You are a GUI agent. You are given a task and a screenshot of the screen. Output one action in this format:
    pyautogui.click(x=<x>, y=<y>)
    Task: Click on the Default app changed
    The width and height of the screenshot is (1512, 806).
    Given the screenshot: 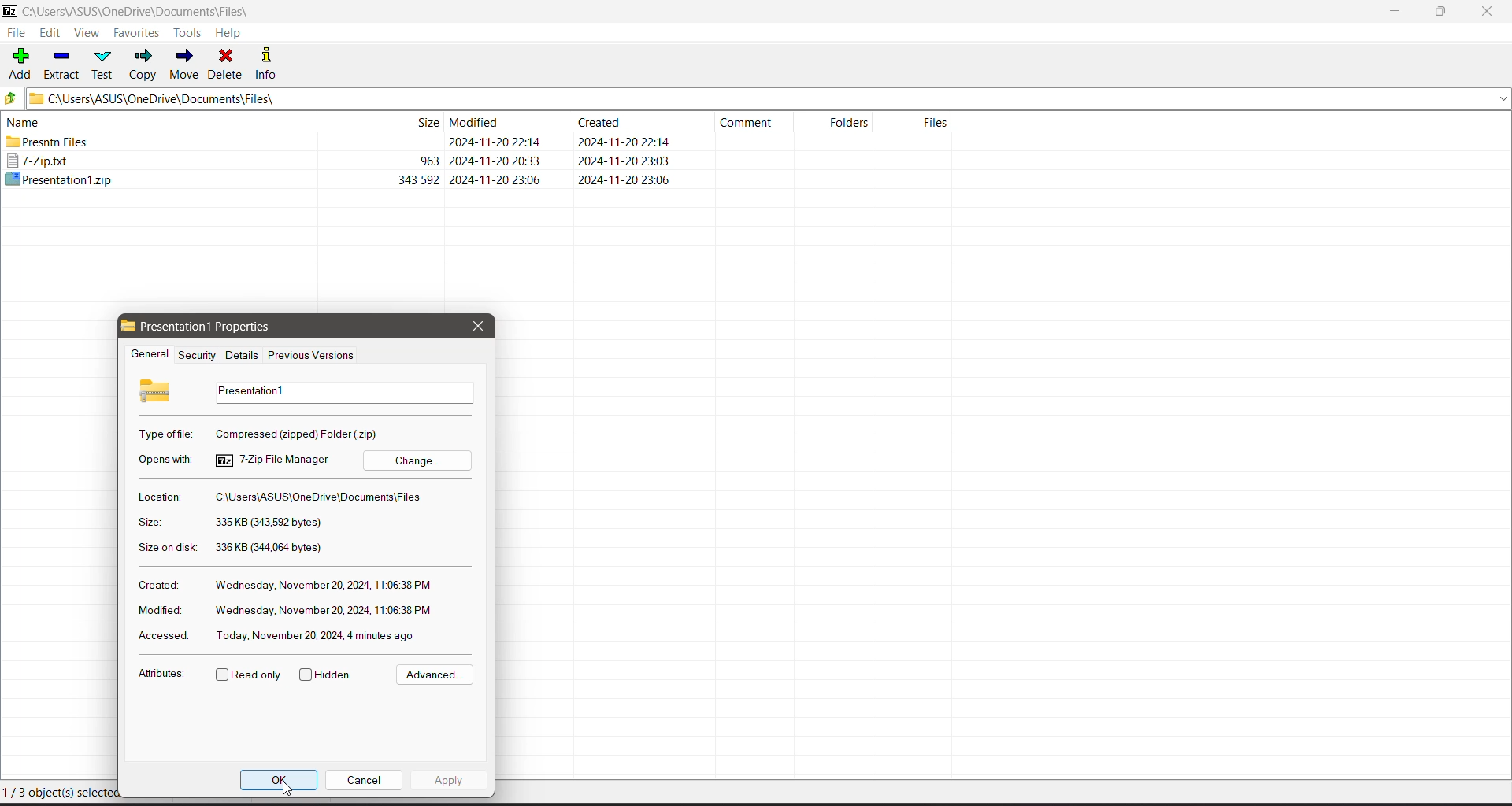 What is the action you would take?
    pyautogui.click(x=272, y=460)
    